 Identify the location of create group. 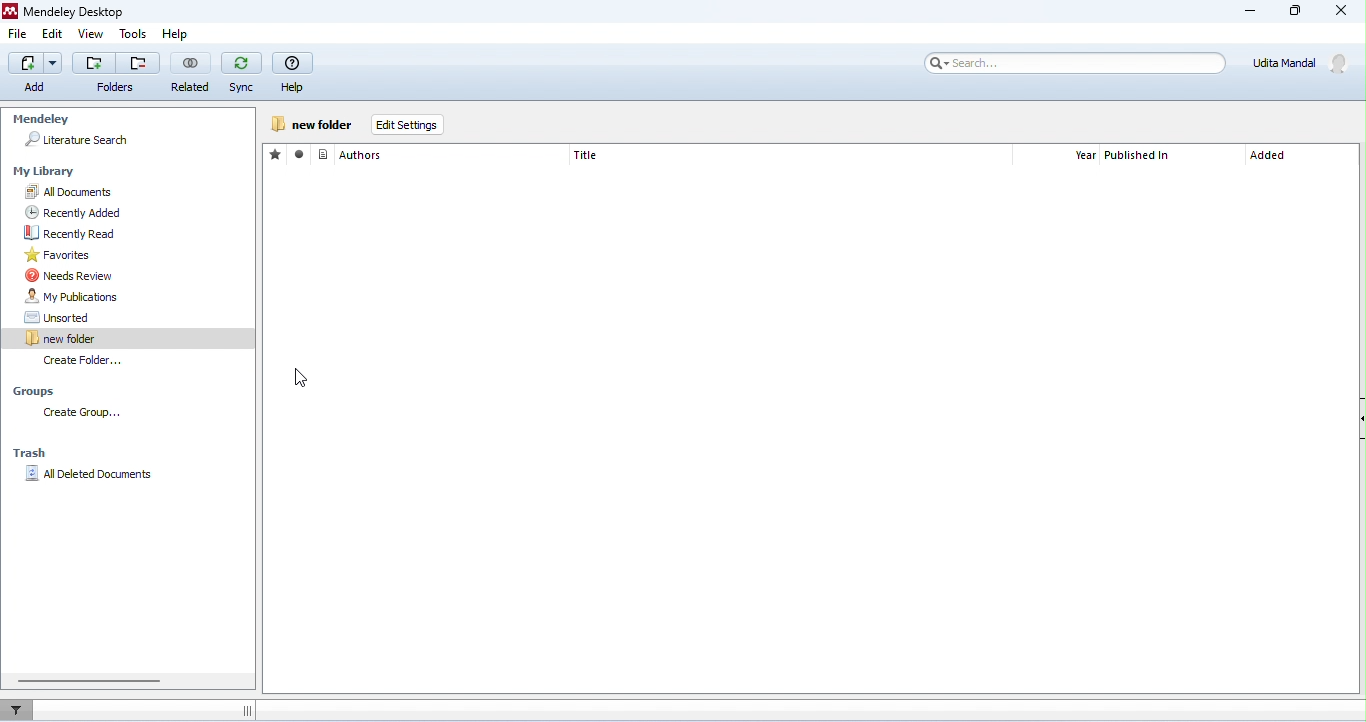
(114, 414).